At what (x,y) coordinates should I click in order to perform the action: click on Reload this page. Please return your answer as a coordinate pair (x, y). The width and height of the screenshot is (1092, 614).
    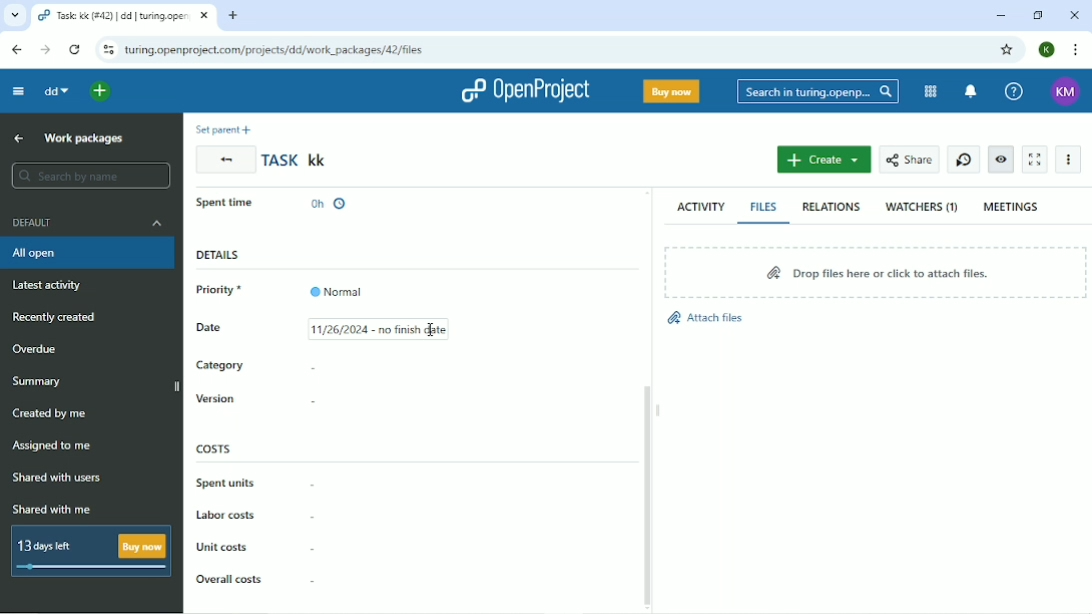
    Looking at the image, I should click on (77, 50).